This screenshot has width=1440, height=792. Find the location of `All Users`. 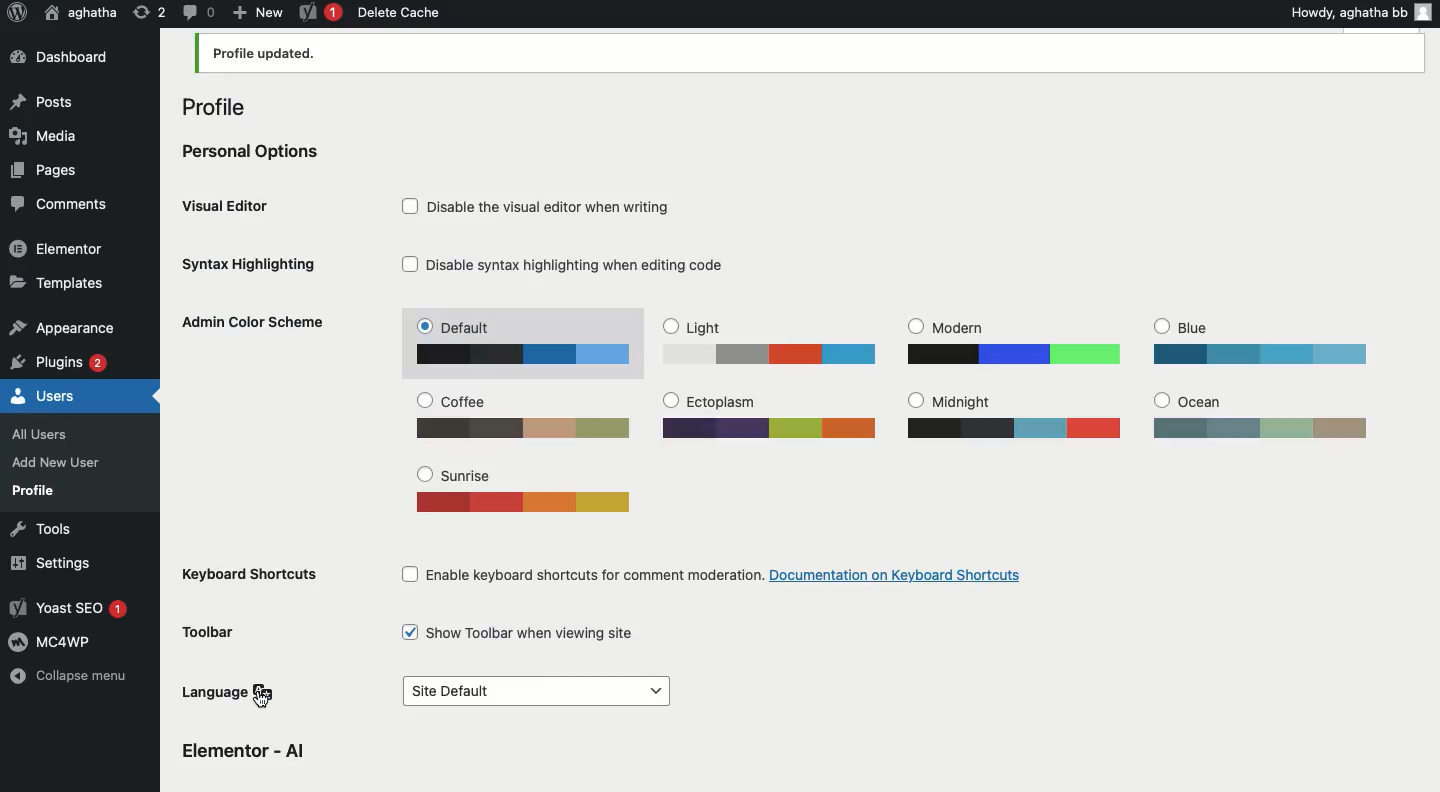

All Users is located at coordinates (50, 432).